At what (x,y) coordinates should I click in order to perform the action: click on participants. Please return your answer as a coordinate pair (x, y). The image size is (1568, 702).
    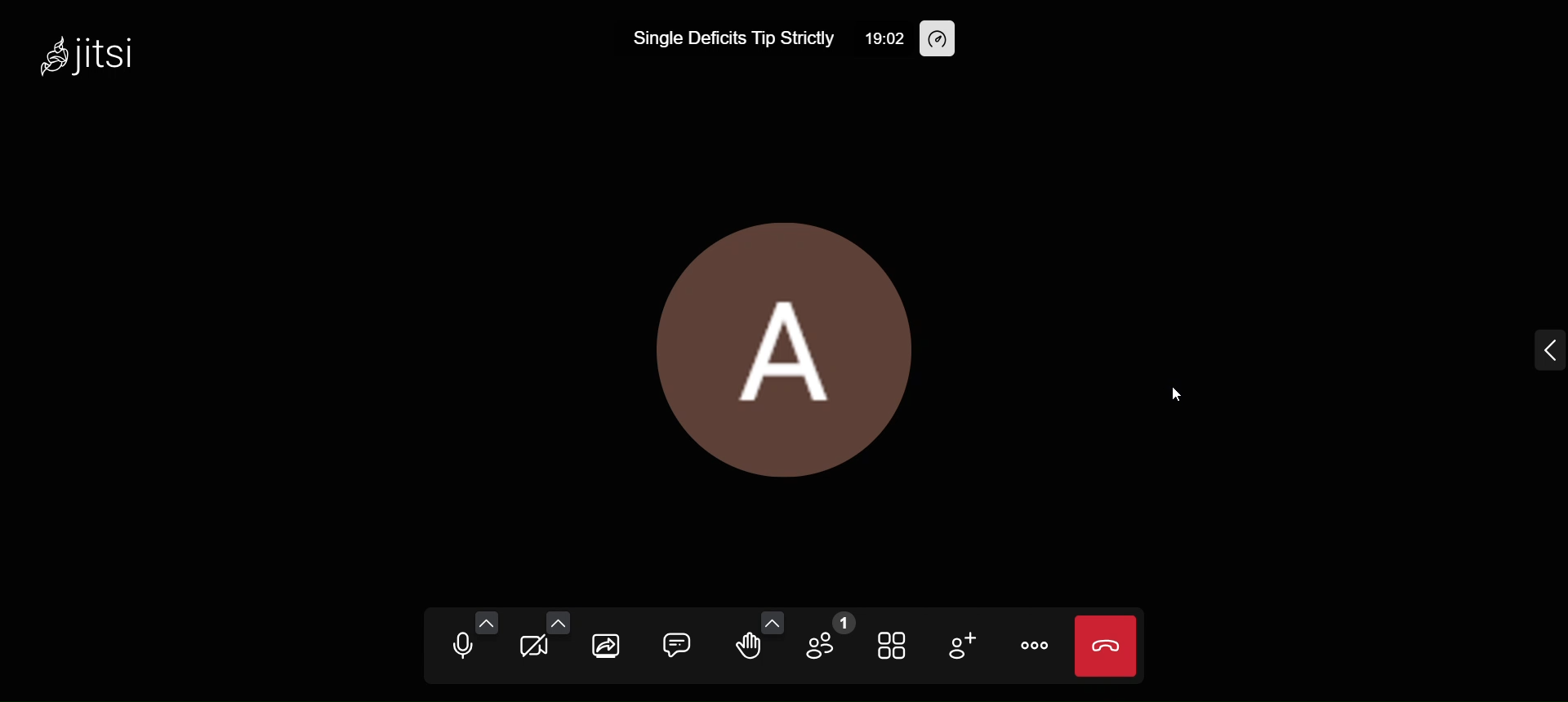
    Looking at the image, I should click on (830, 637).